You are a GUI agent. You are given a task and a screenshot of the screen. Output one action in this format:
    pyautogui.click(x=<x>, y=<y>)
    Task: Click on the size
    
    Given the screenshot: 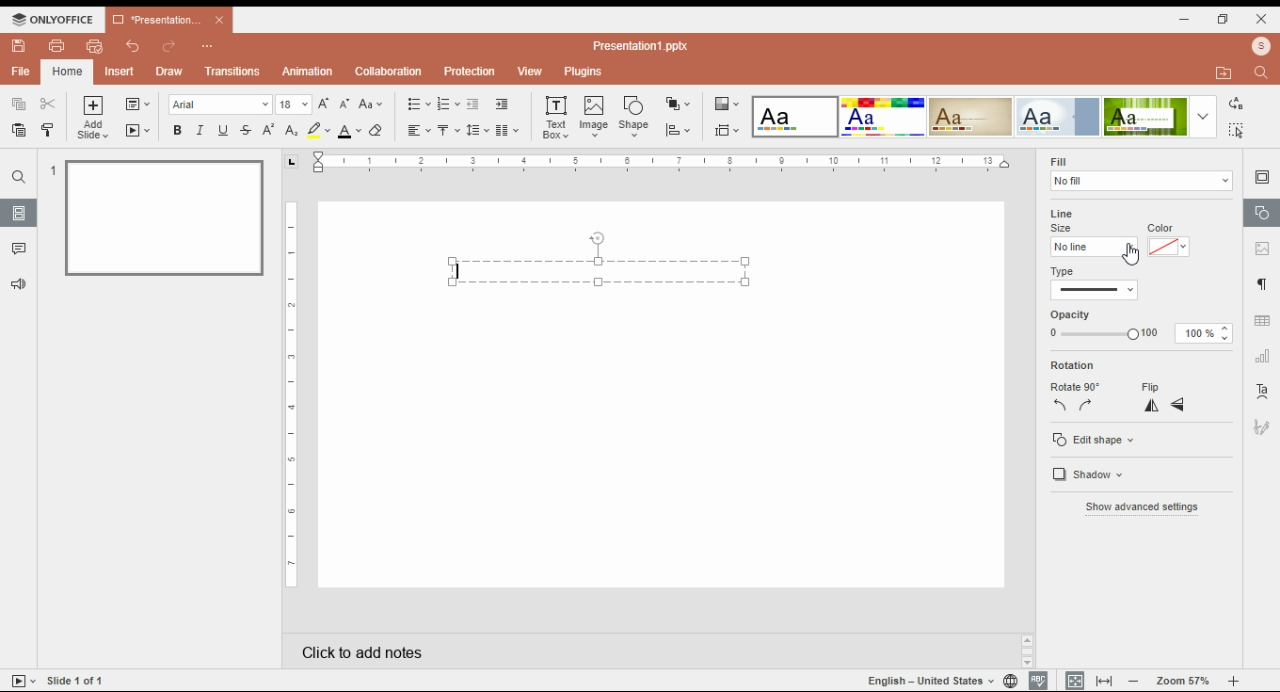 What is the action you would take?
    pyautogui.click(x=1063, y=228)
    